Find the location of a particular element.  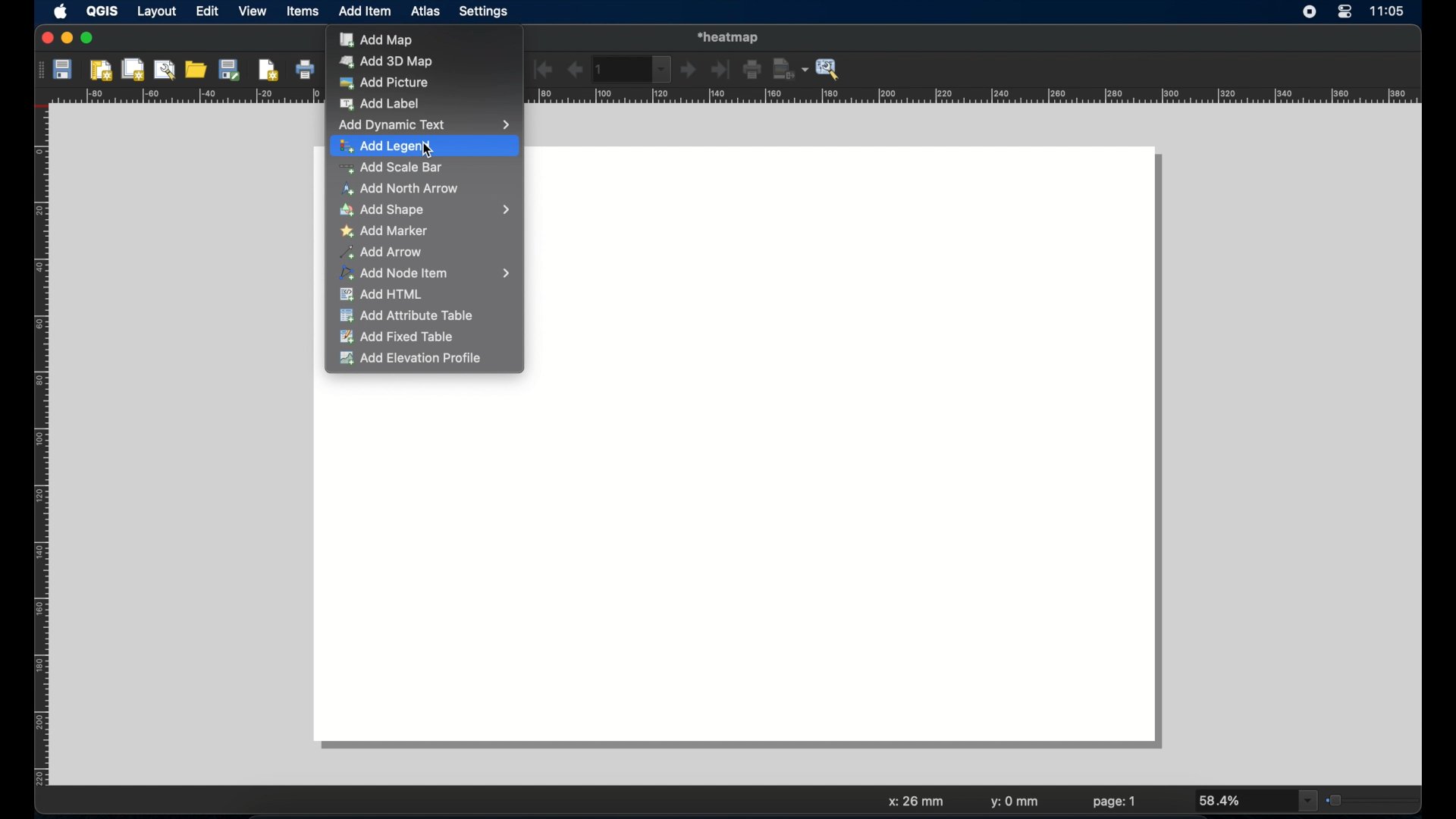

add elevation profile is located at coordinates (409, 359).